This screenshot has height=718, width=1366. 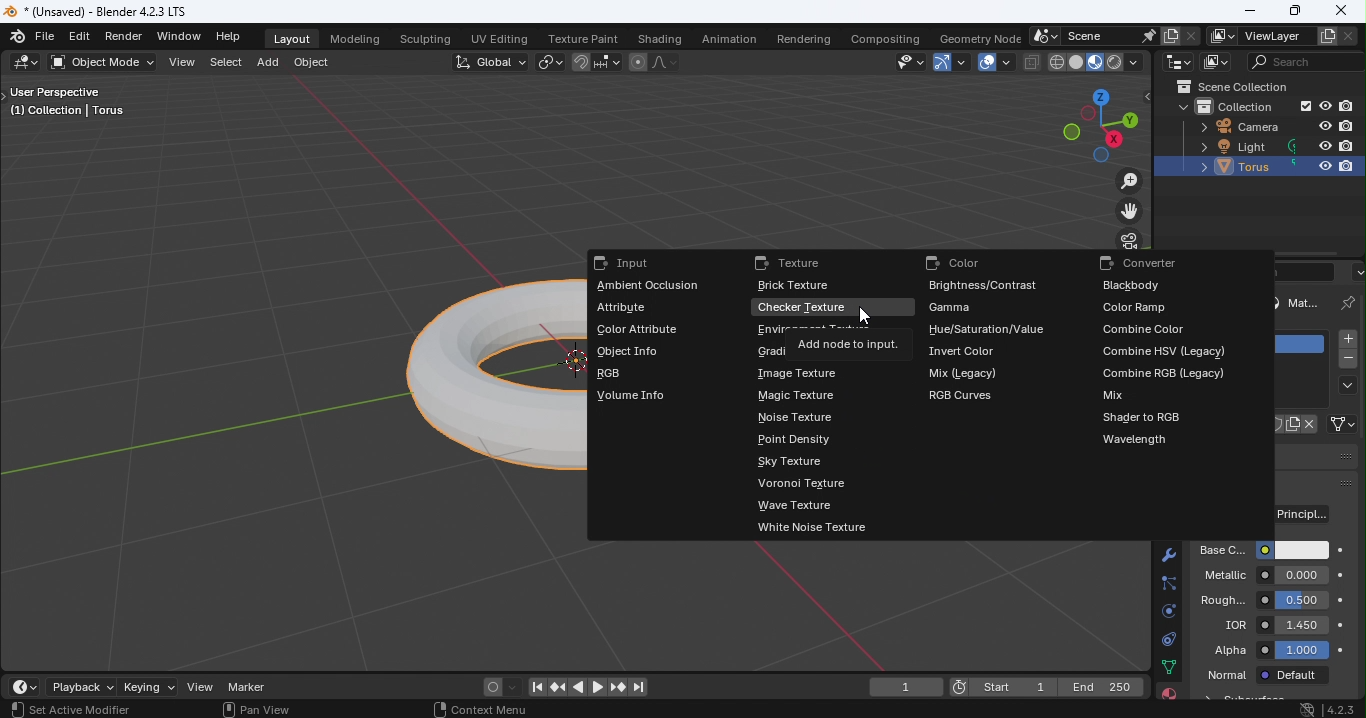 What do you see at coordinates (21, 709) in the screenshot?
I see `Select view` at bounding box center [21, 709].